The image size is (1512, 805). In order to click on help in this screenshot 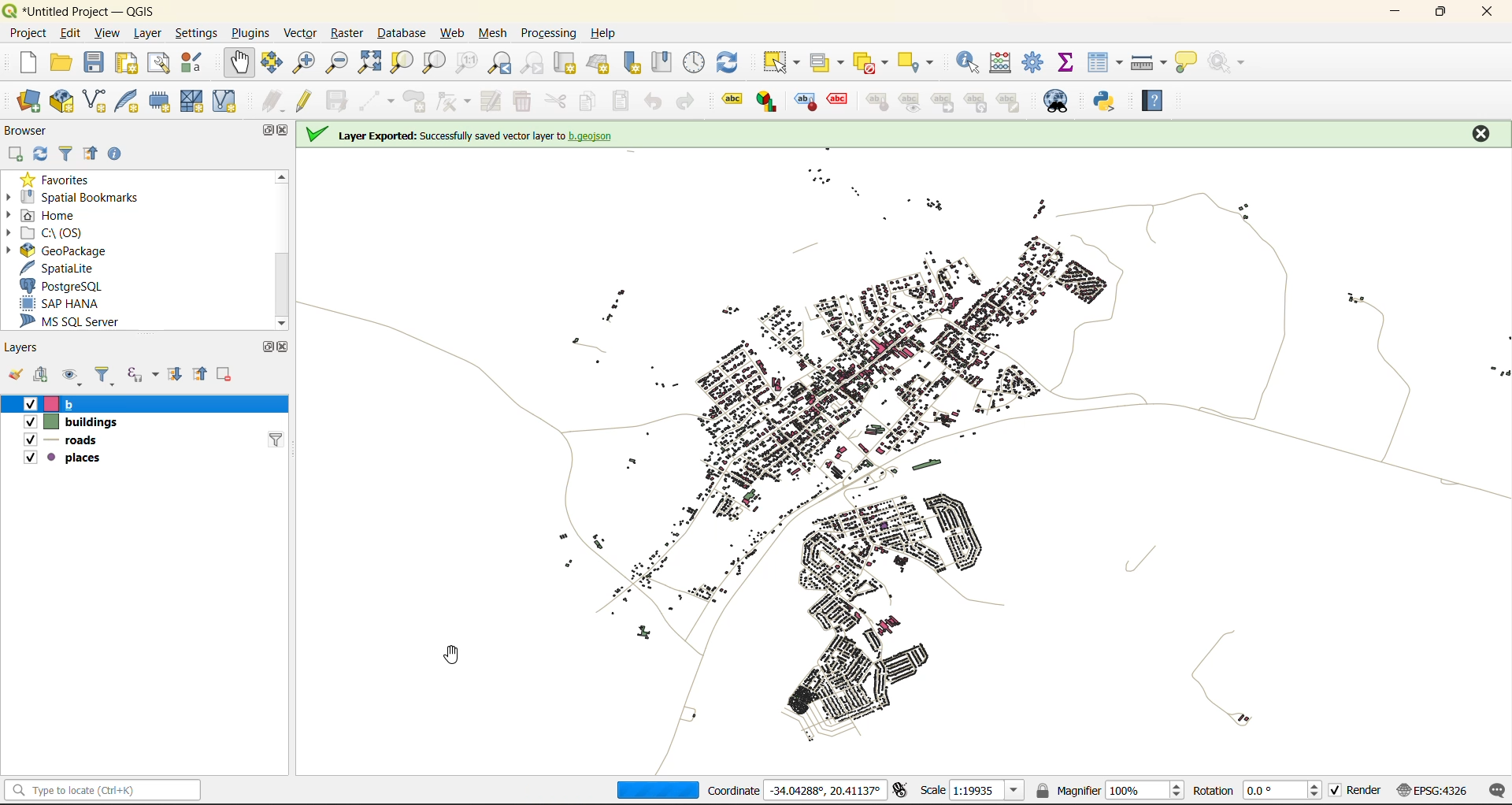, I will do `click(603, 32)`.